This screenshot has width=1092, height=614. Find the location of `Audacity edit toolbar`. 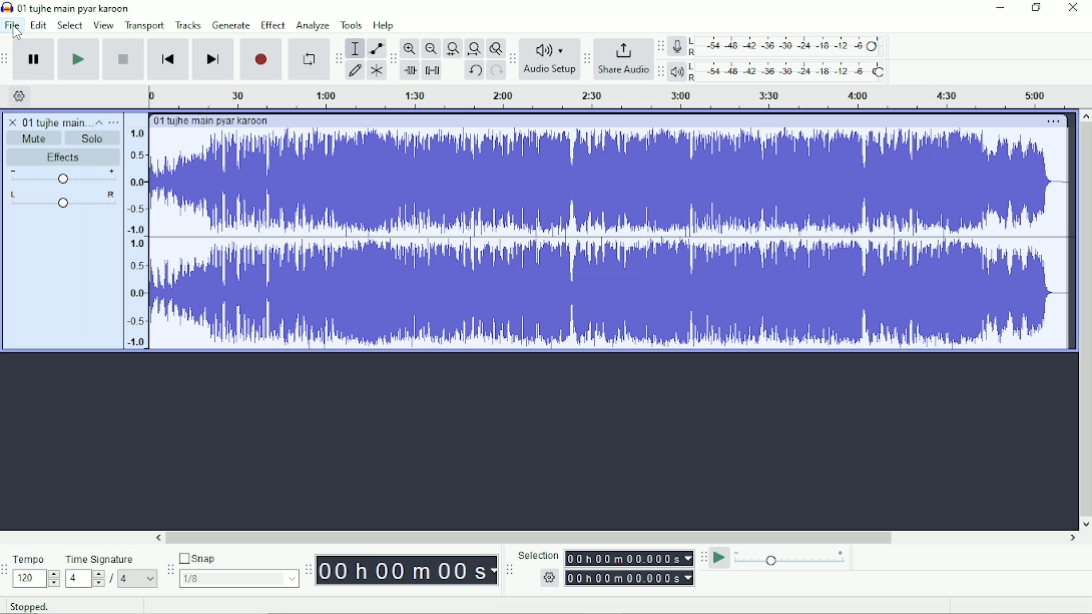

Audacity edit toolbar is located at coordinates (392, 60).